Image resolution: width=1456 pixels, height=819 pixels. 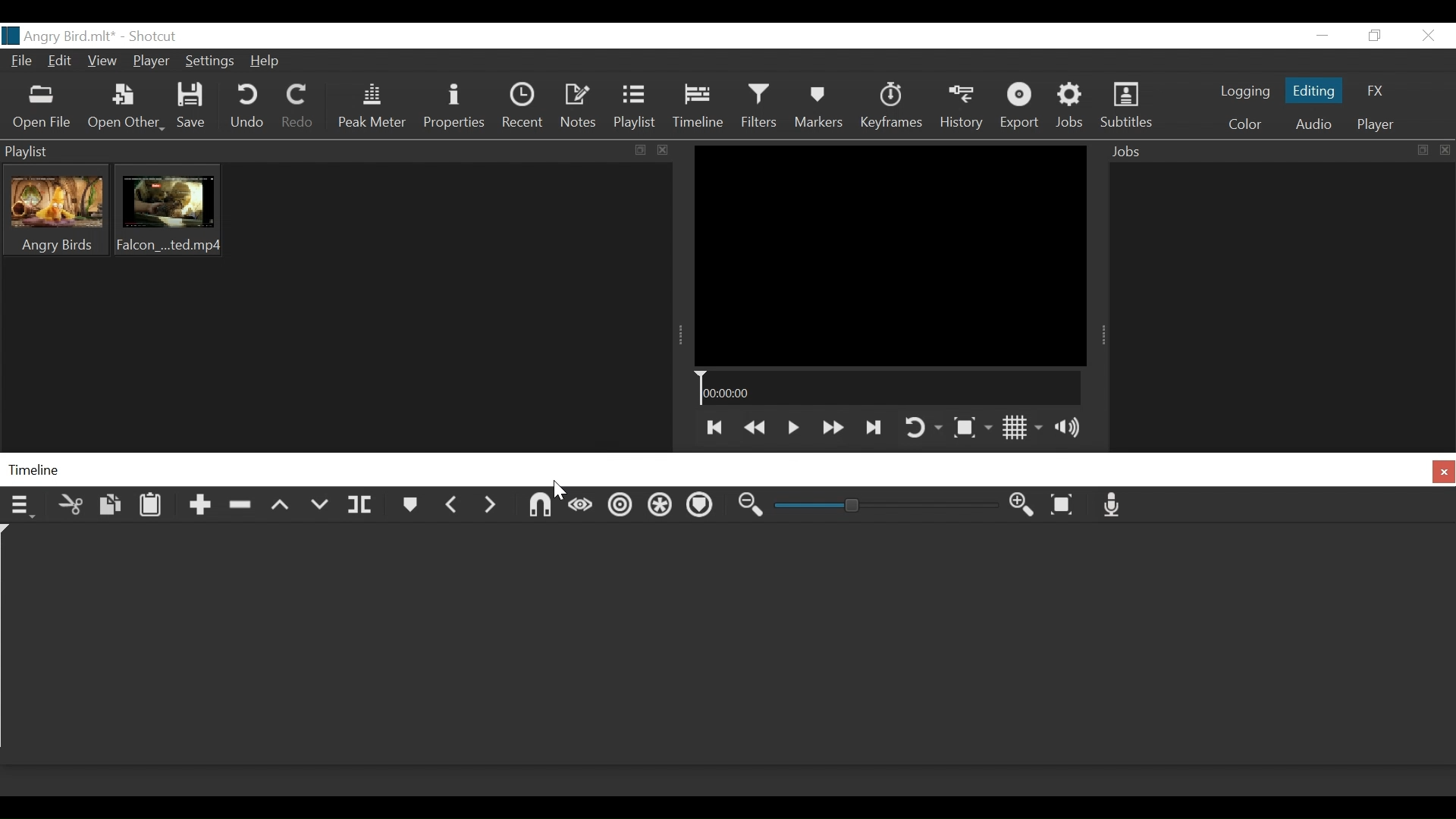 I want to click on Skip to te previous point, so click(x=713, y=428).